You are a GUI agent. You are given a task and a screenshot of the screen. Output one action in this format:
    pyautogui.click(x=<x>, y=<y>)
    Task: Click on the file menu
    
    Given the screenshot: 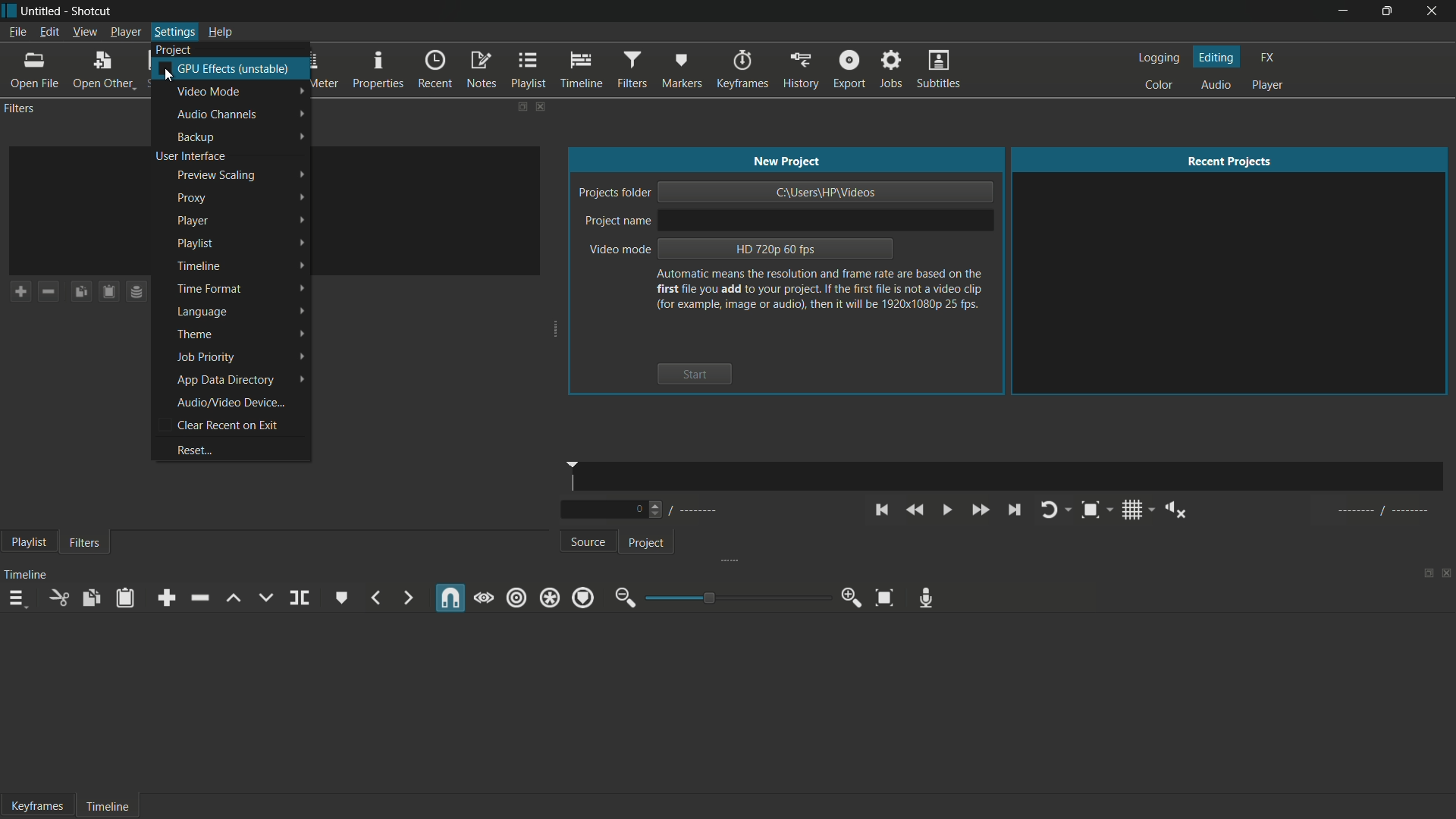 What is the action you would take?
    pyautogui.click(x=14, y=33)
    